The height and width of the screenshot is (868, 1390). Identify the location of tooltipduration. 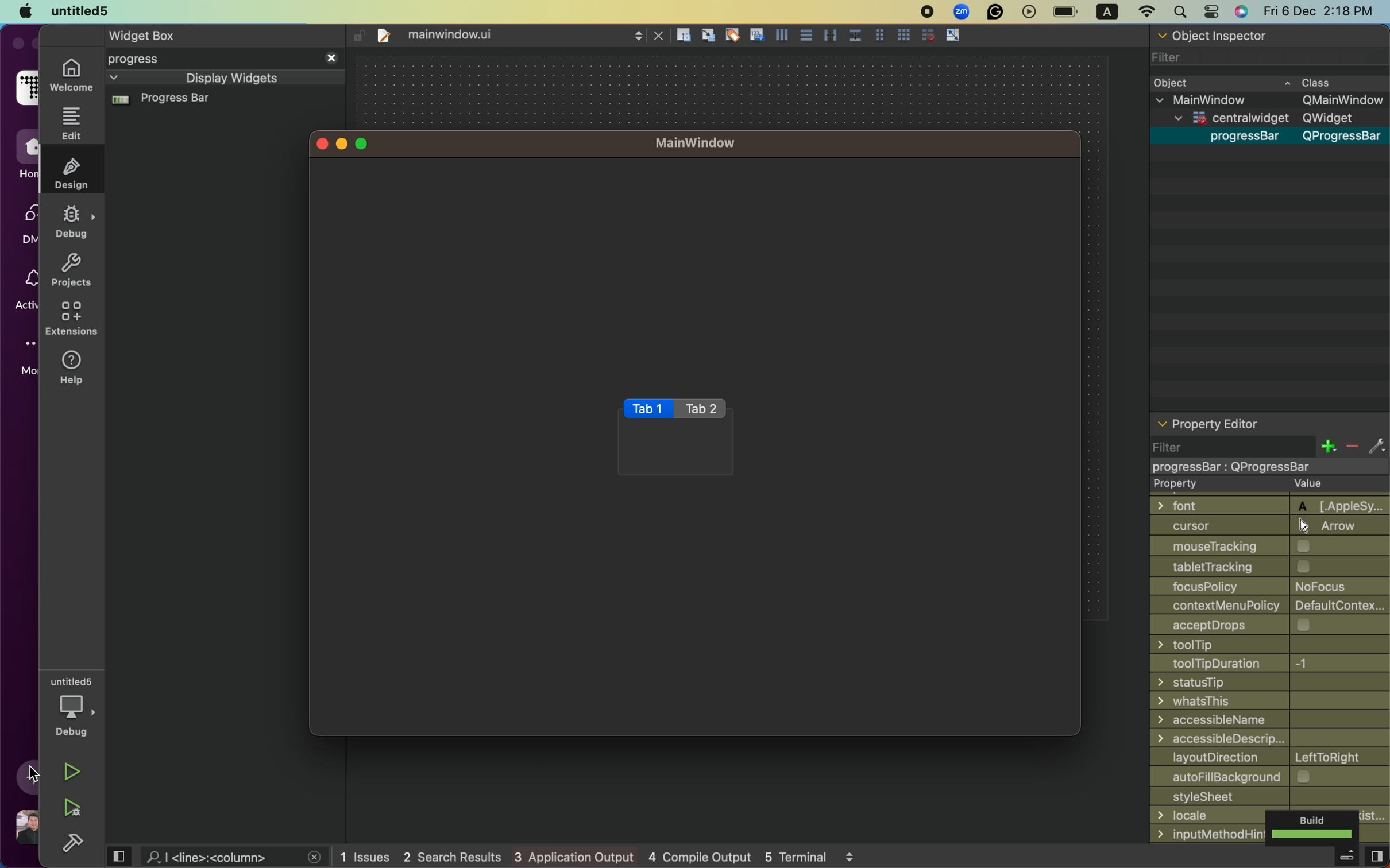
(1270, 665).